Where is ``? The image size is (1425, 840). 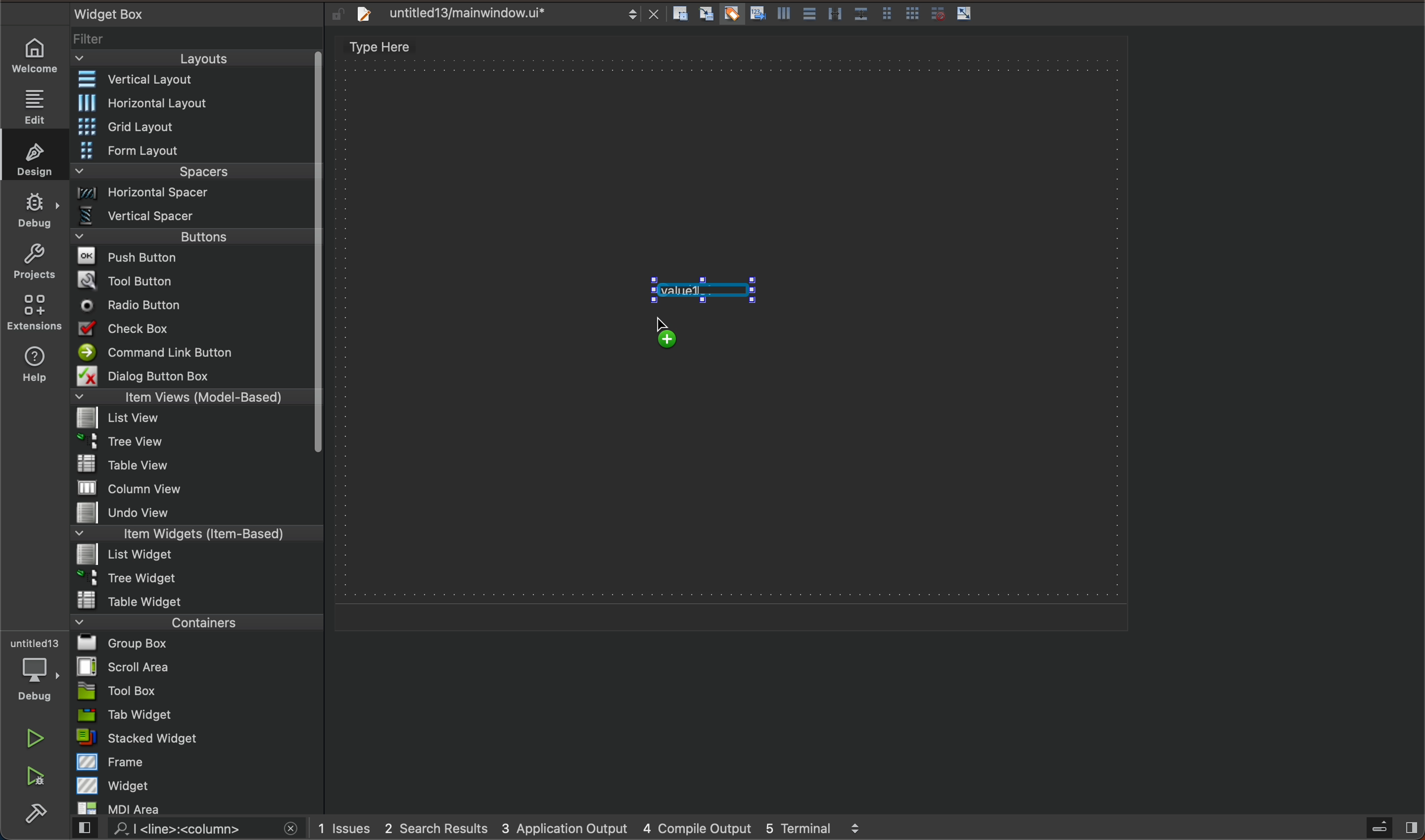  is located at coordinates (193, 556).